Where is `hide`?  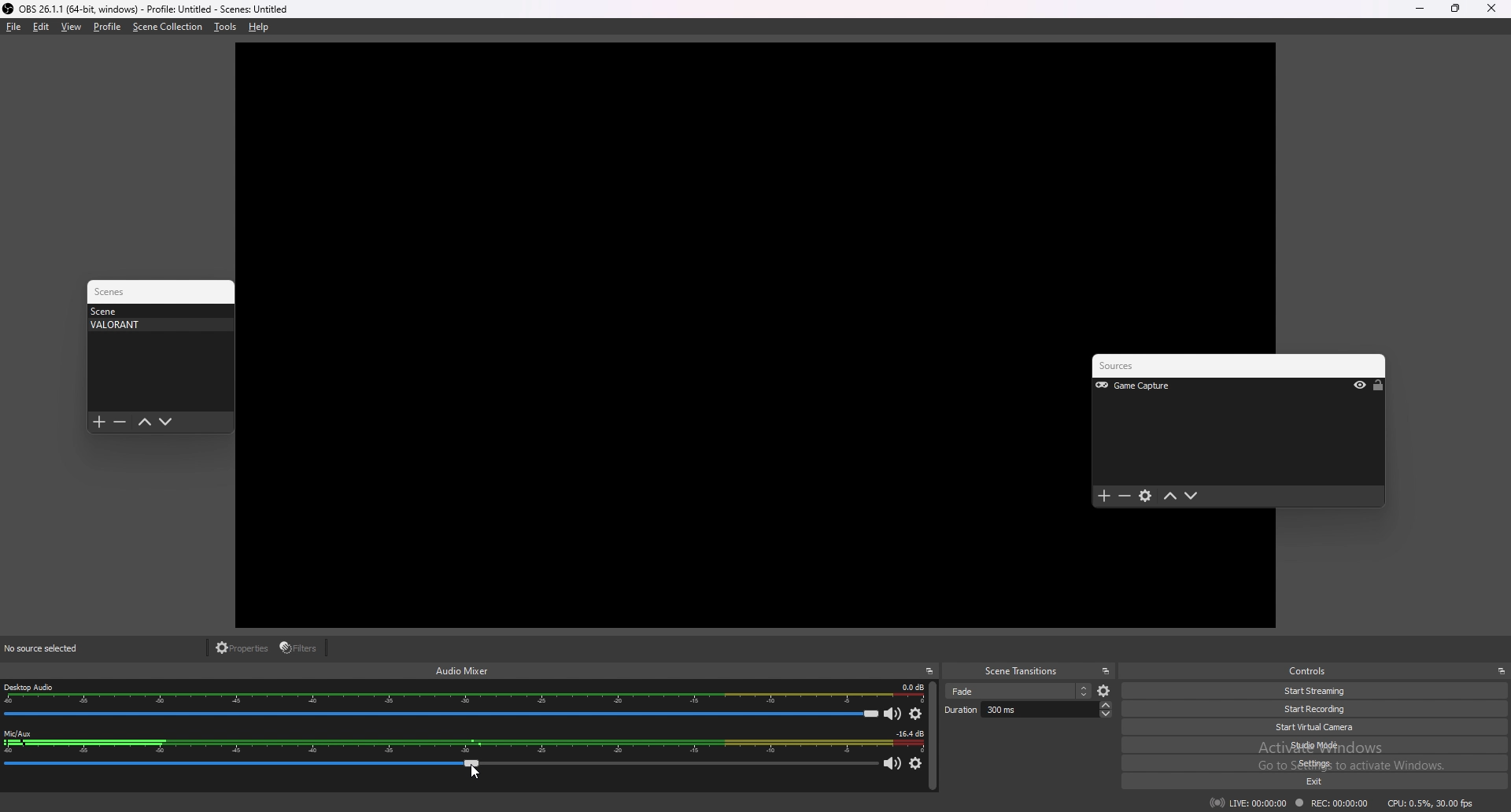
hide is located at coordinates (1360, 386).